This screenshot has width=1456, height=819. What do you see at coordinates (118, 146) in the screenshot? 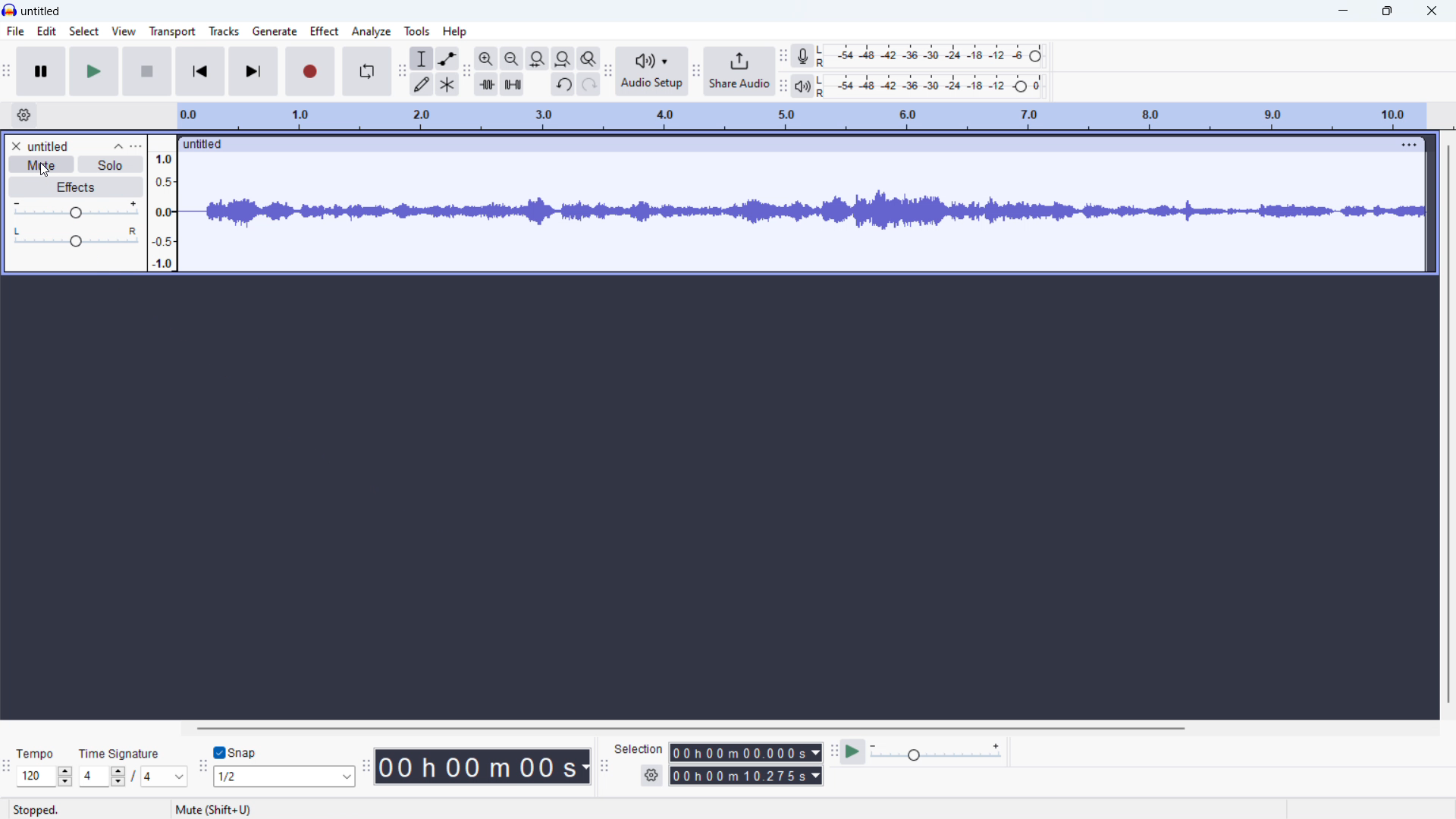
I see `collapse` at bounding box center [118, 146].